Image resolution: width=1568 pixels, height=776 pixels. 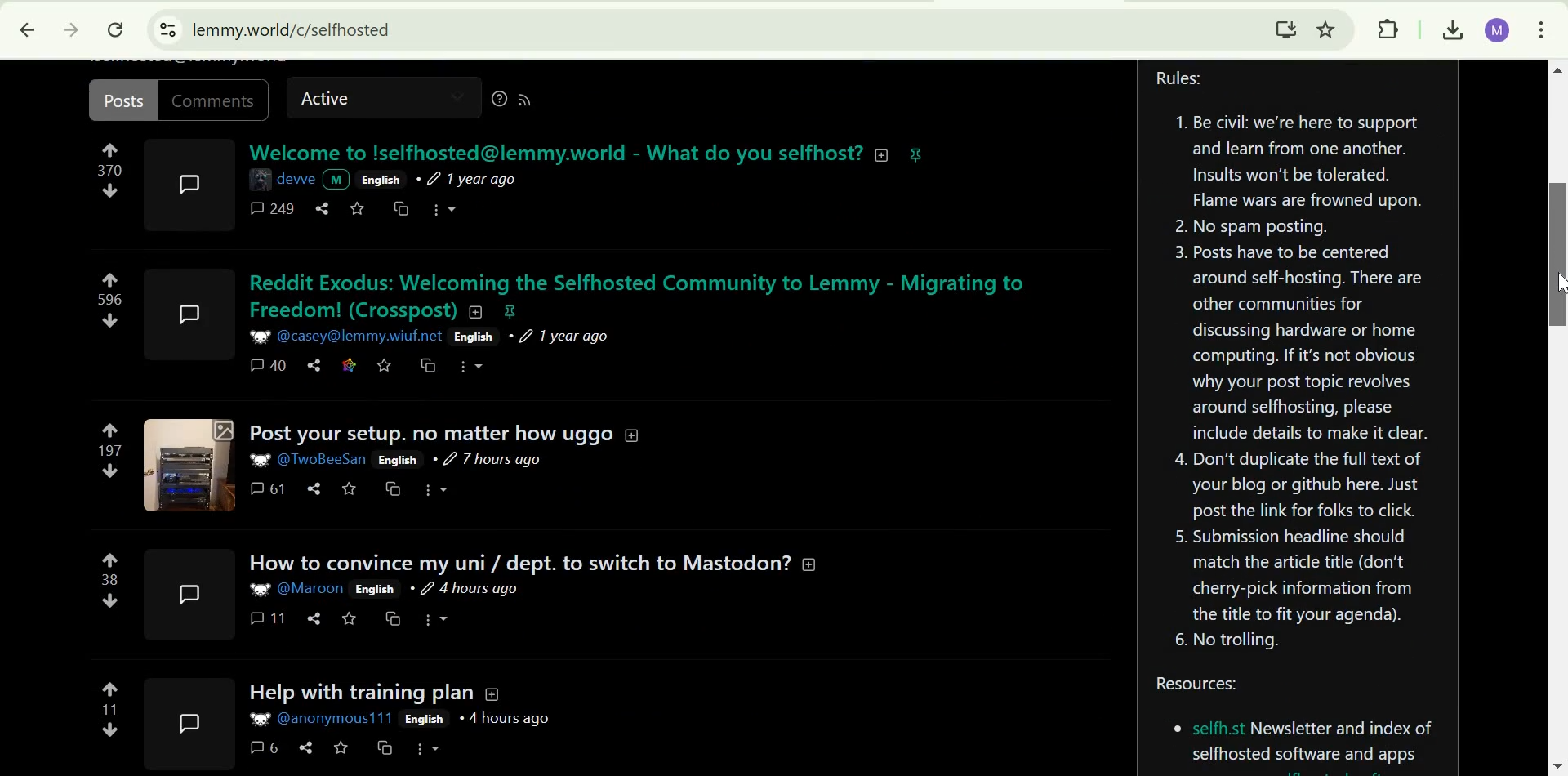 I want to click on How to convince my uni/dept. to switch to Mastodon?, so click(x=517, y=563).